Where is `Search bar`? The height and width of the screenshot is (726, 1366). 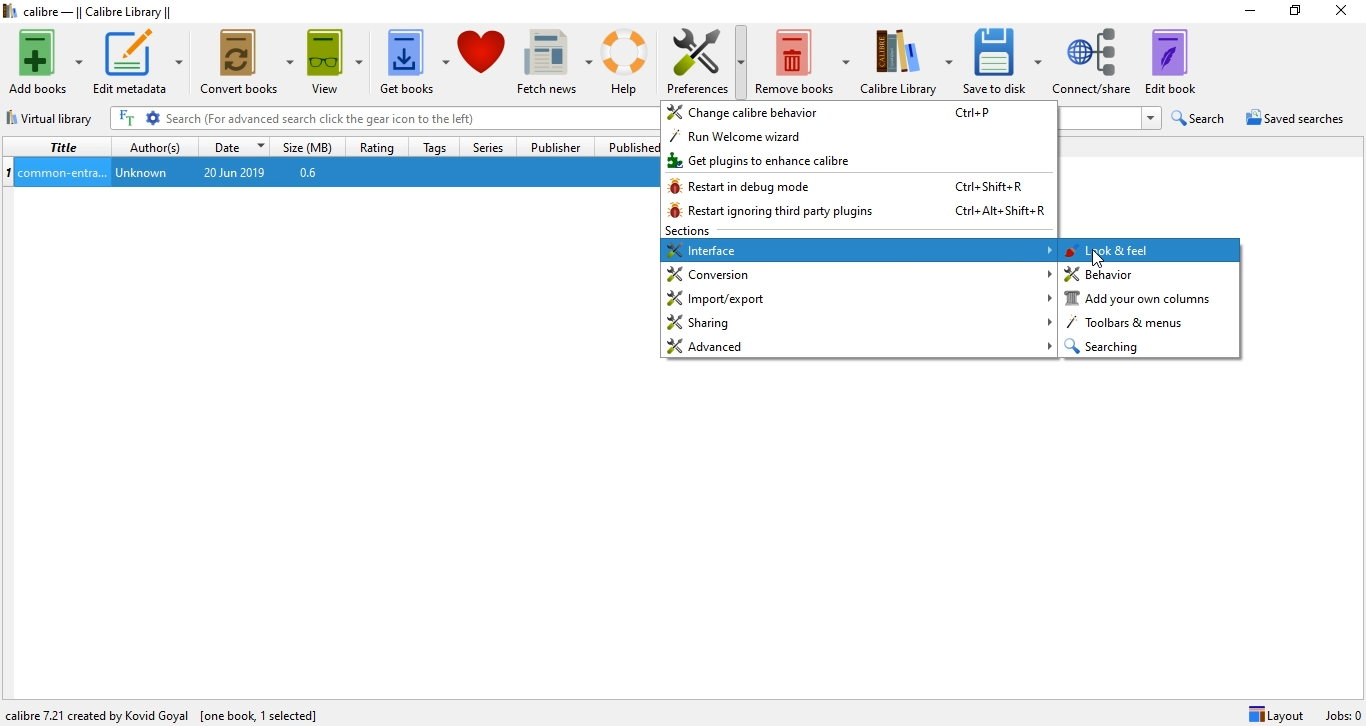 Search bar is located at coordinates (410, 118).